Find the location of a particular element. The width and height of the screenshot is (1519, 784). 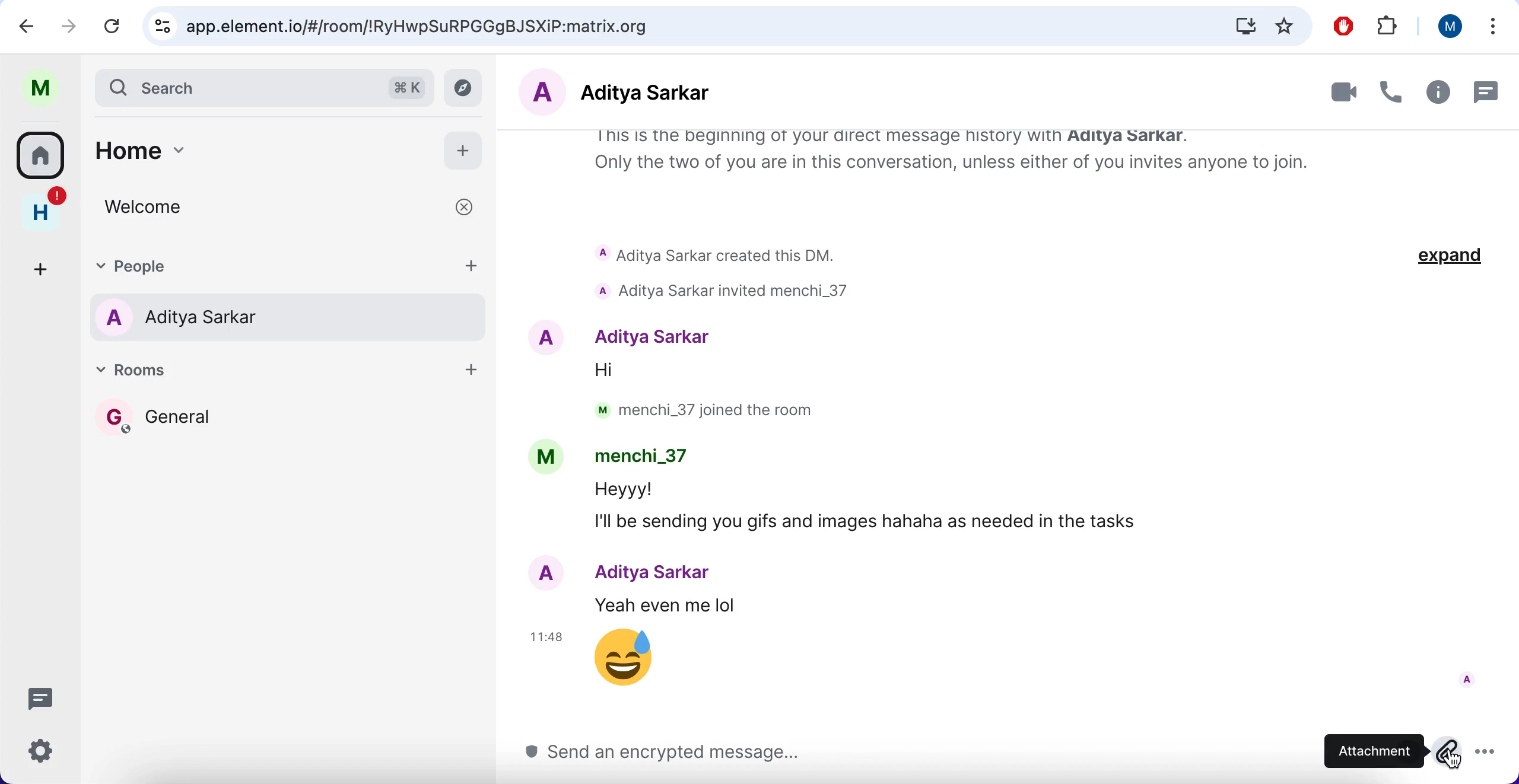

home is located at coordinates (42, 209).